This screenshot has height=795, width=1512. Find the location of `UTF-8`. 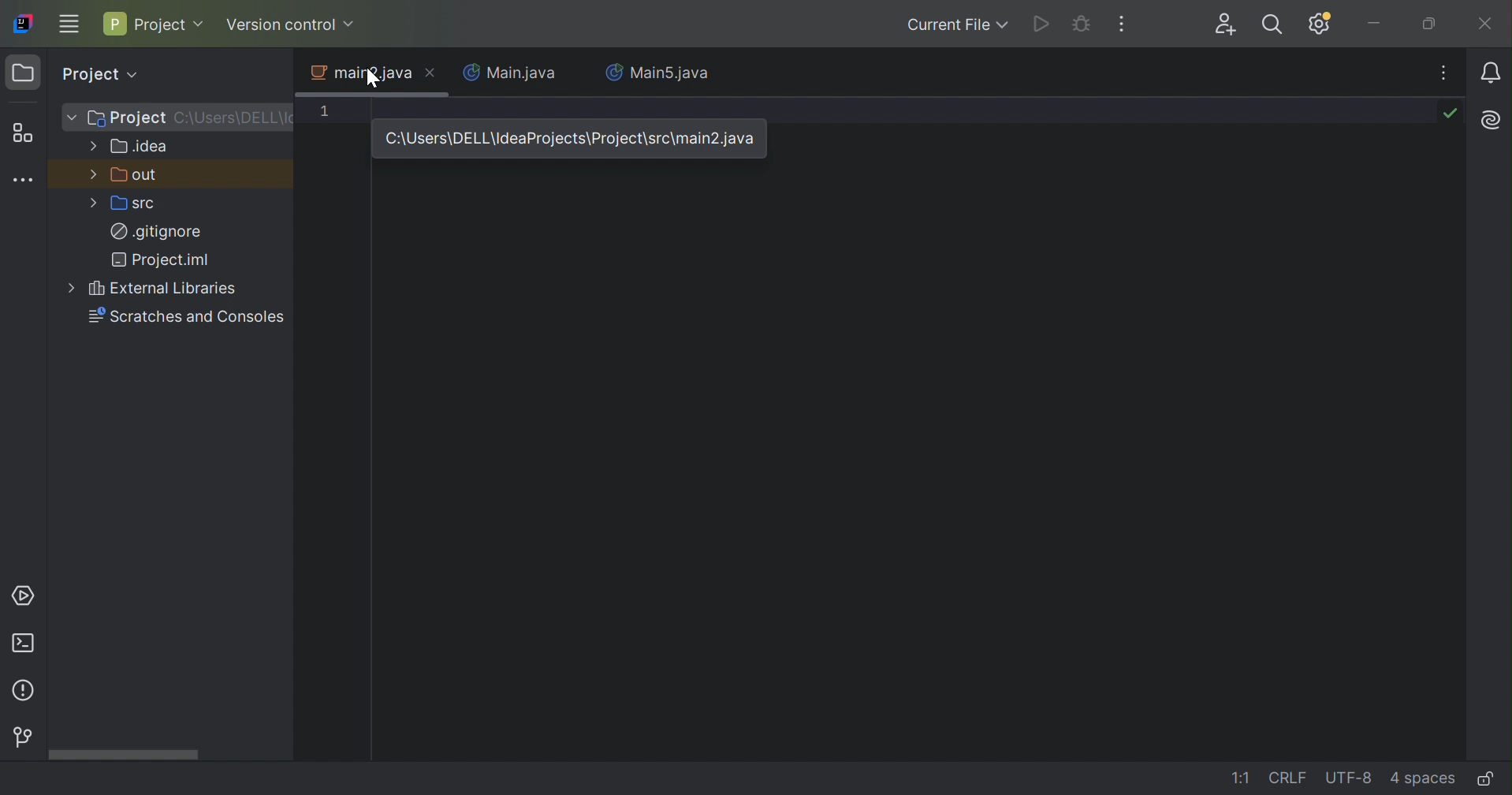

UTF-8 is located at coordinates (1351, 778).